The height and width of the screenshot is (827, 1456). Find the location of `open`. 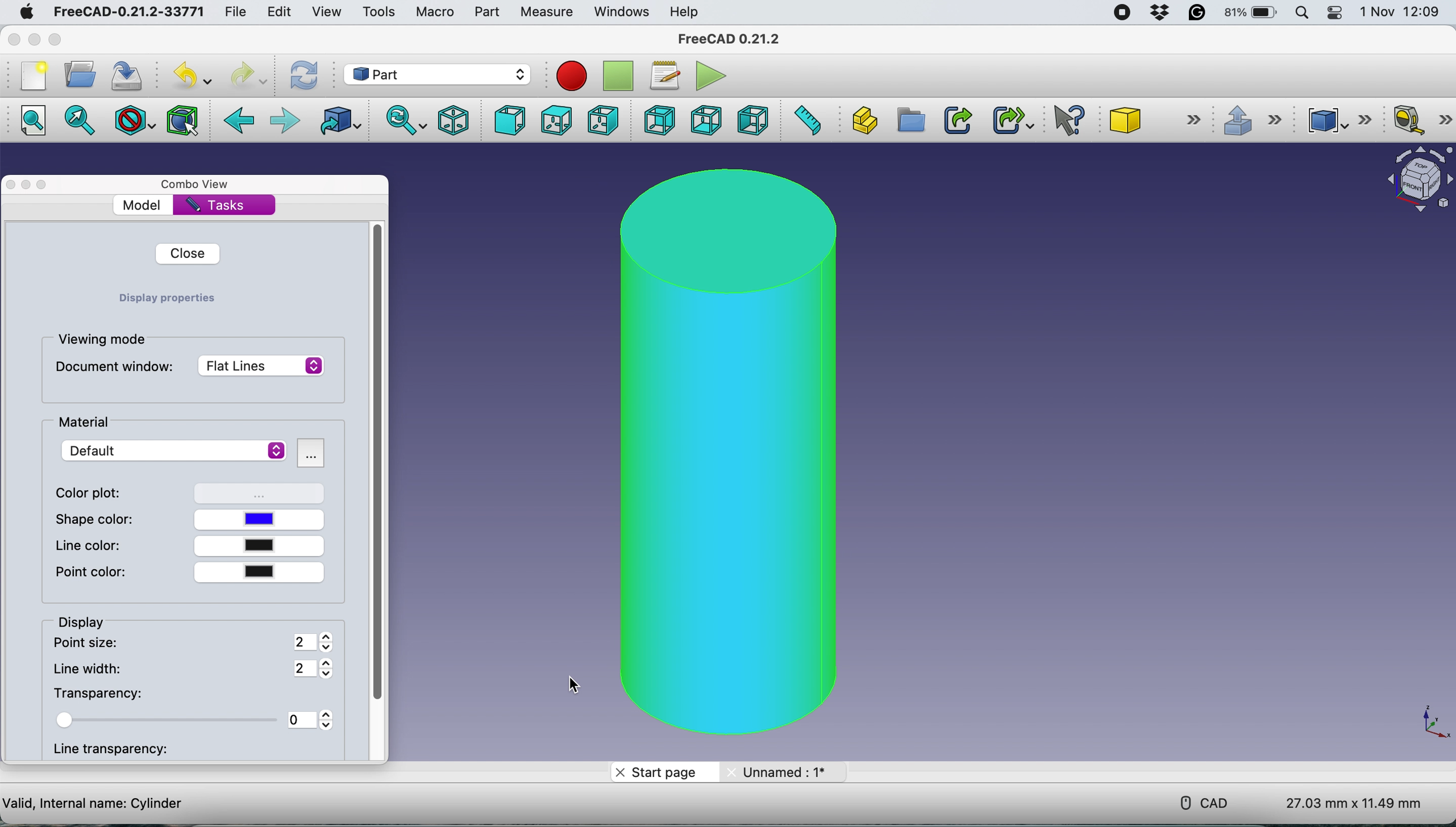

open is located at coordinates (78, 76).